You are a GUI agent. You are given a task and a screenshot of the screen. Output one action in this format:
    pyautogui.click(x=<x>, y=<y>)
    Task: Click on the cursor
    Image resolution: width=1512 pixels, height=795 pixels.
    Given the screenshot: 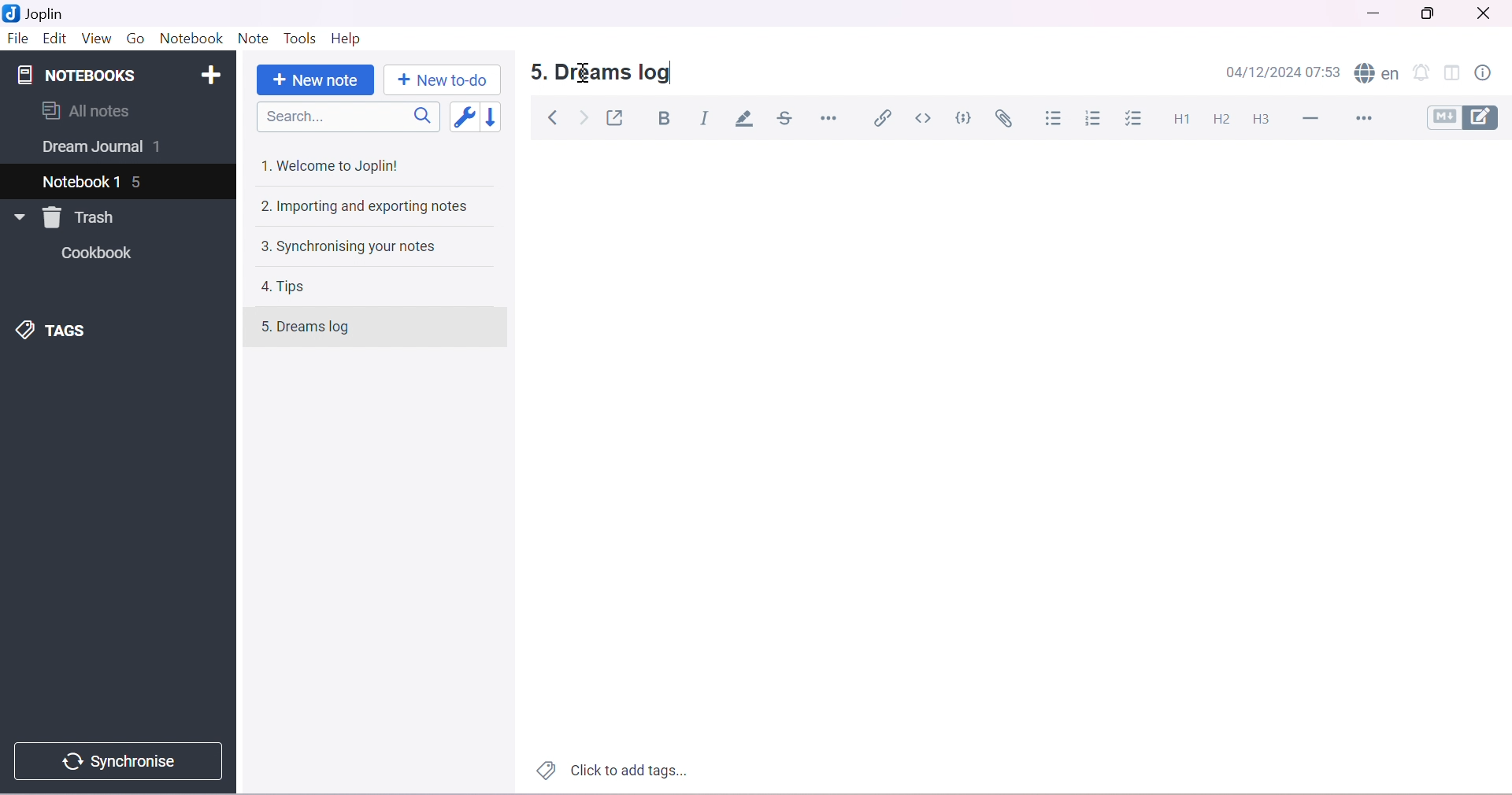 What is the action you would take?
    pyautogui.click(x=584, y=76)
    